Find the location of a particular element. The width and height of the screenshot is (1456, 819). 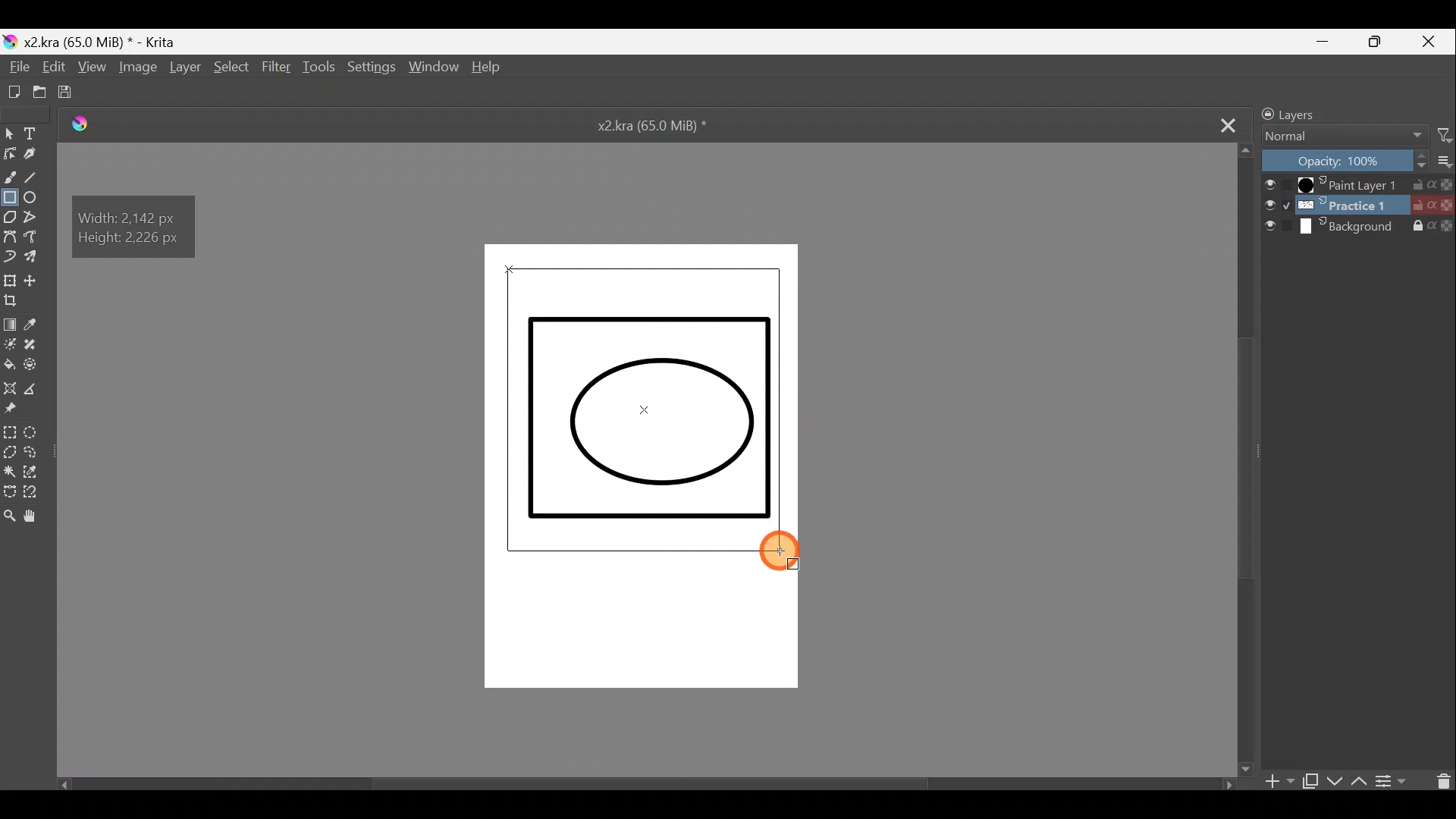

Polygon tool is located at coordinates (9, 217).